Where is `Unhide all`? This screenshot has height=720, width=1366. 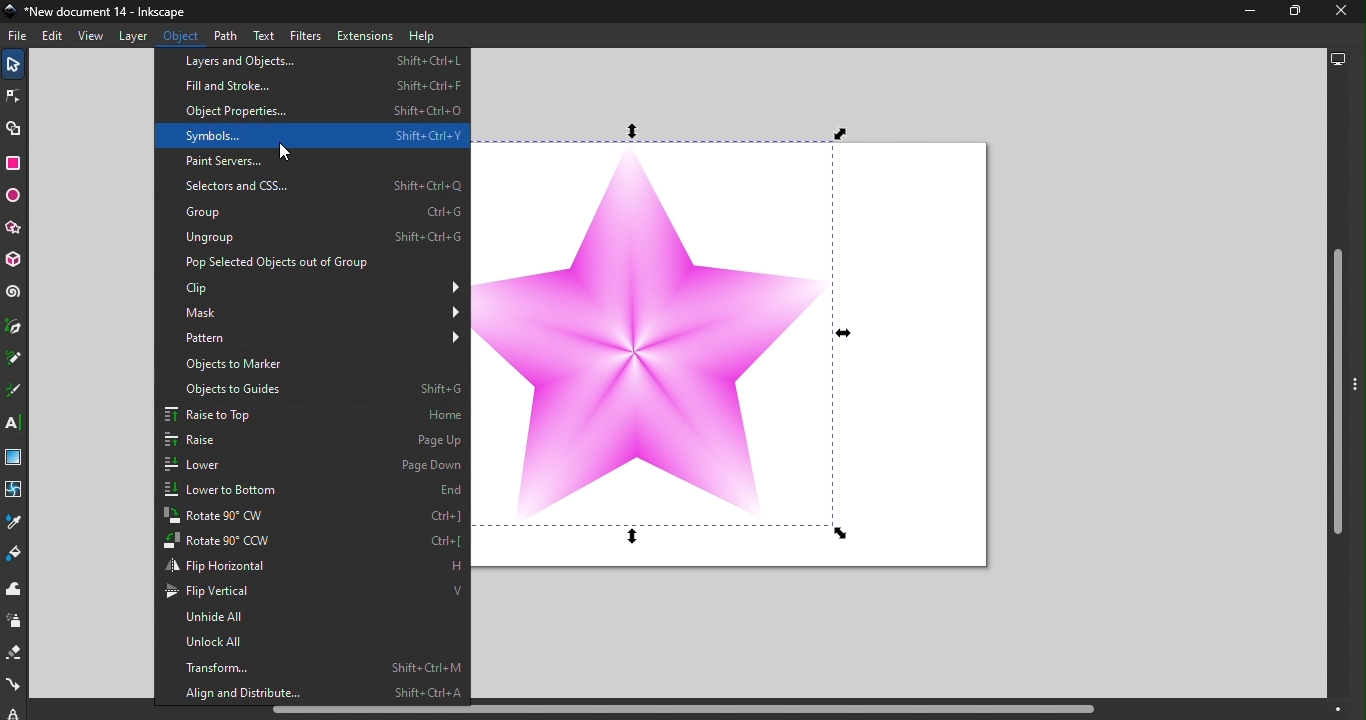
Unhide all is located at coordinates (311, 616).